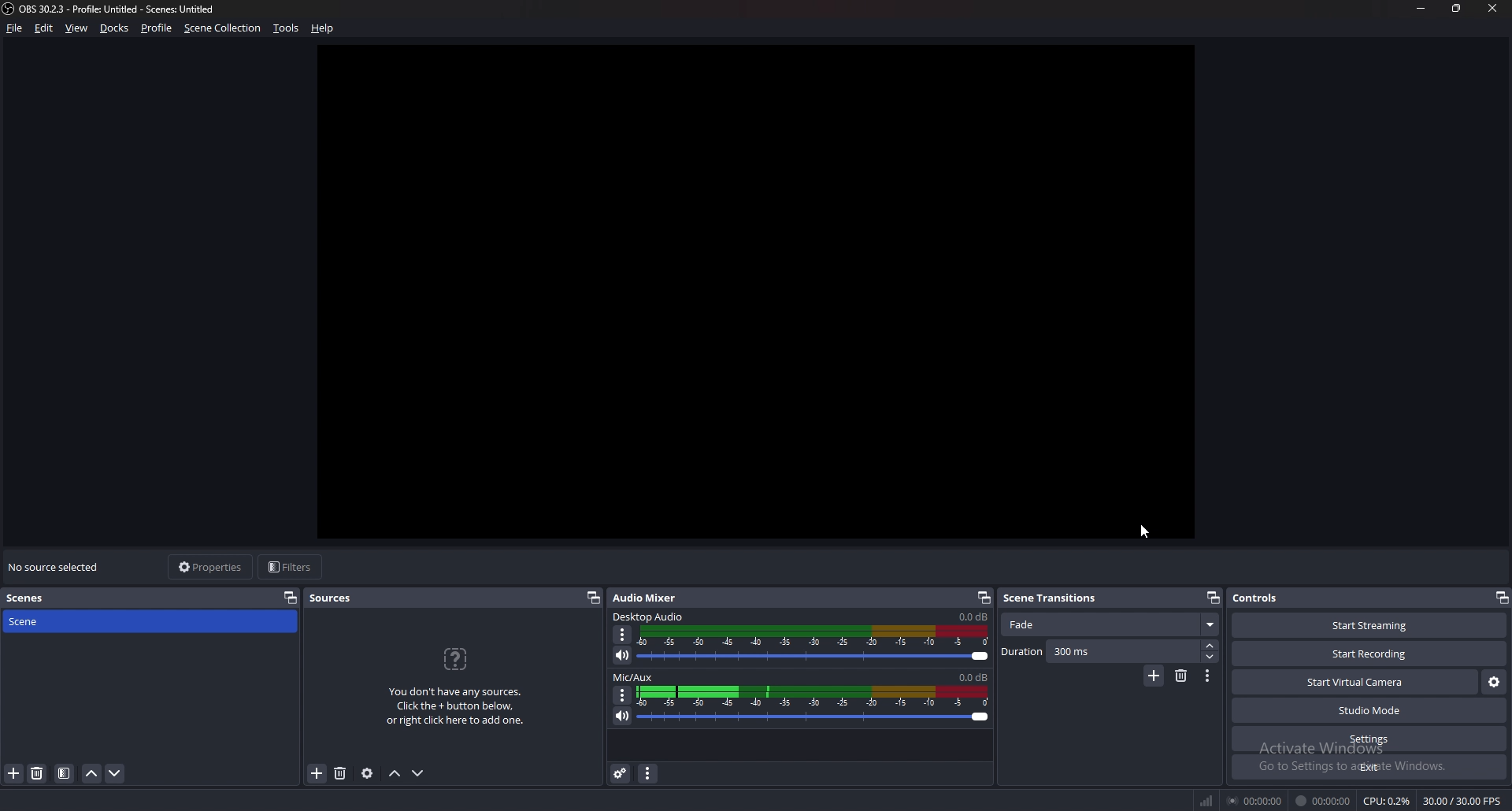 This screenshot has height=811, width=1512. Describe the element at coordinates (1360, 626) in the screenshot. I see `start streaming` at that location.